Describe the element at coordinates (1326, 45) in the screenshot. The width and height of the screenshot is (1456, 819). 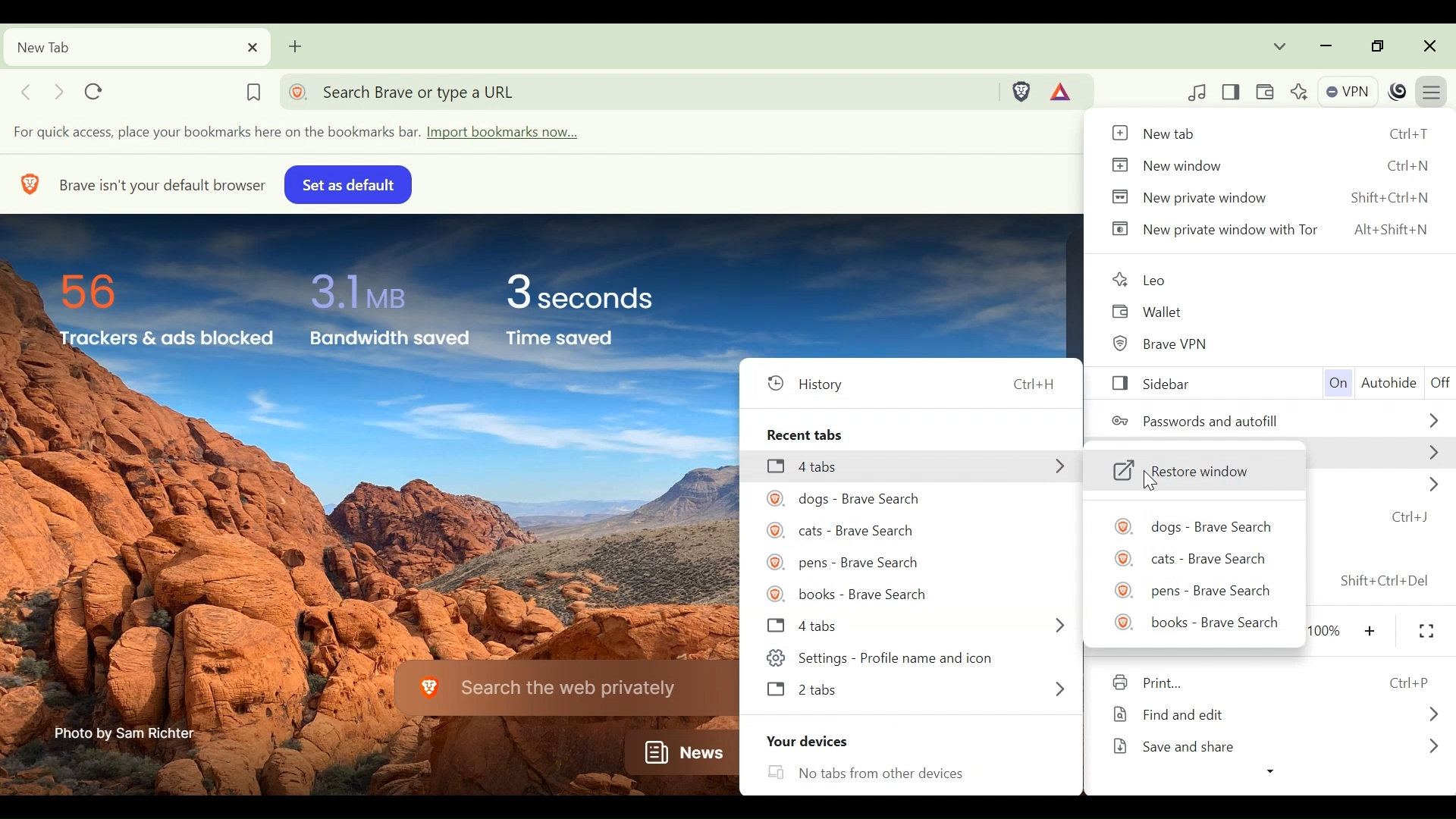
I see `minimize` at that location.